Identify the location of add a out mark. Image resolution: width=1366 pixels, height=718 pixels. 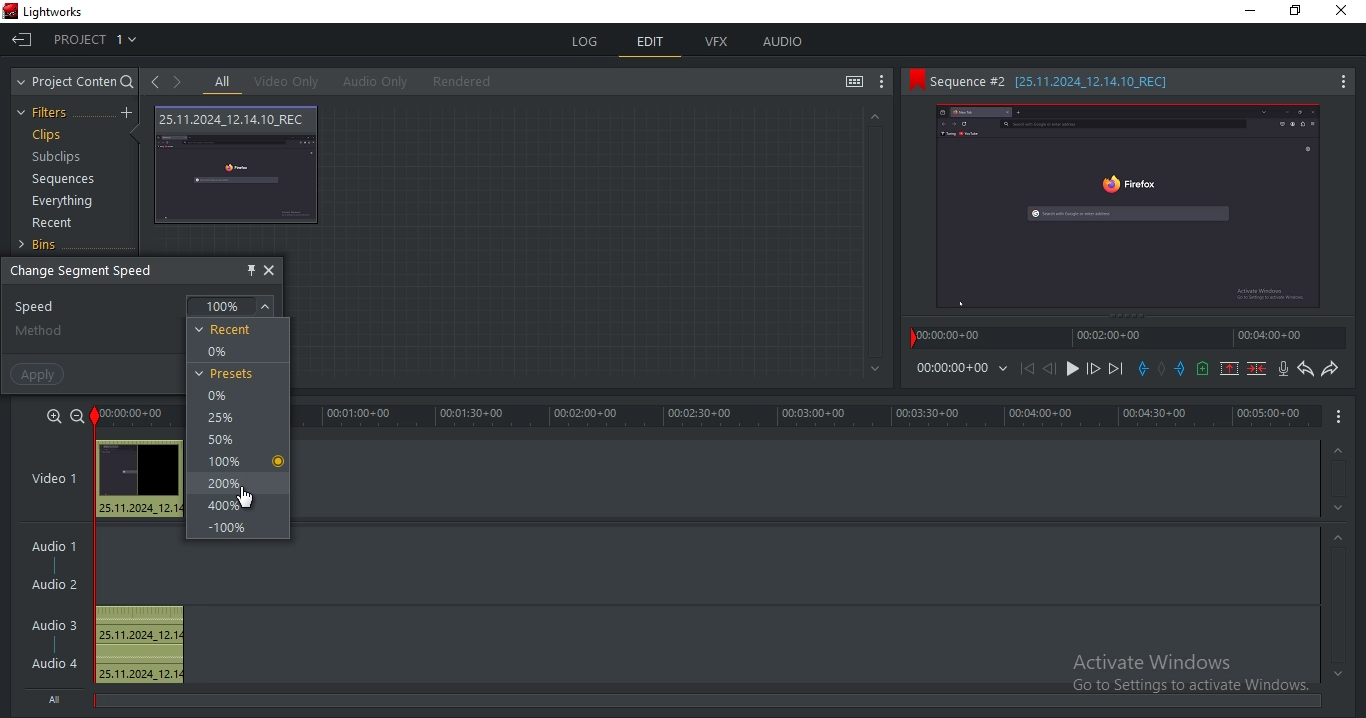
(1180, 368).